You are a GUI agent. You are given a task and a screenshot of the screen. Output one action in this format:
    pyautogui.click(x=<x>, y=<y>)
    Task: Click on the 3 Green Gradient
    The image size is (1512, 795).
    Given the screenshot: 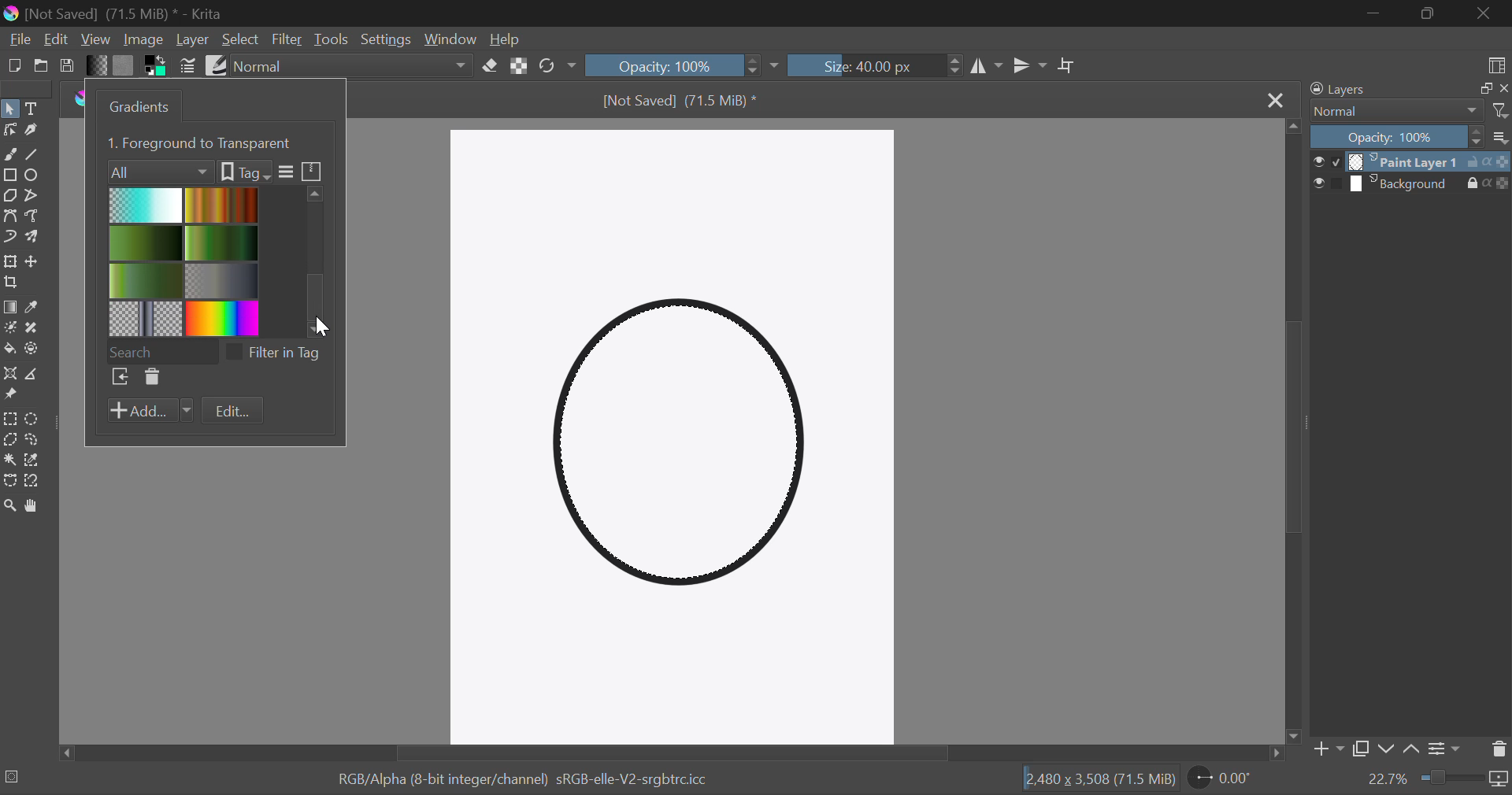 What is the action you would take?
    pyautogui.click(x=147, y=281)
    